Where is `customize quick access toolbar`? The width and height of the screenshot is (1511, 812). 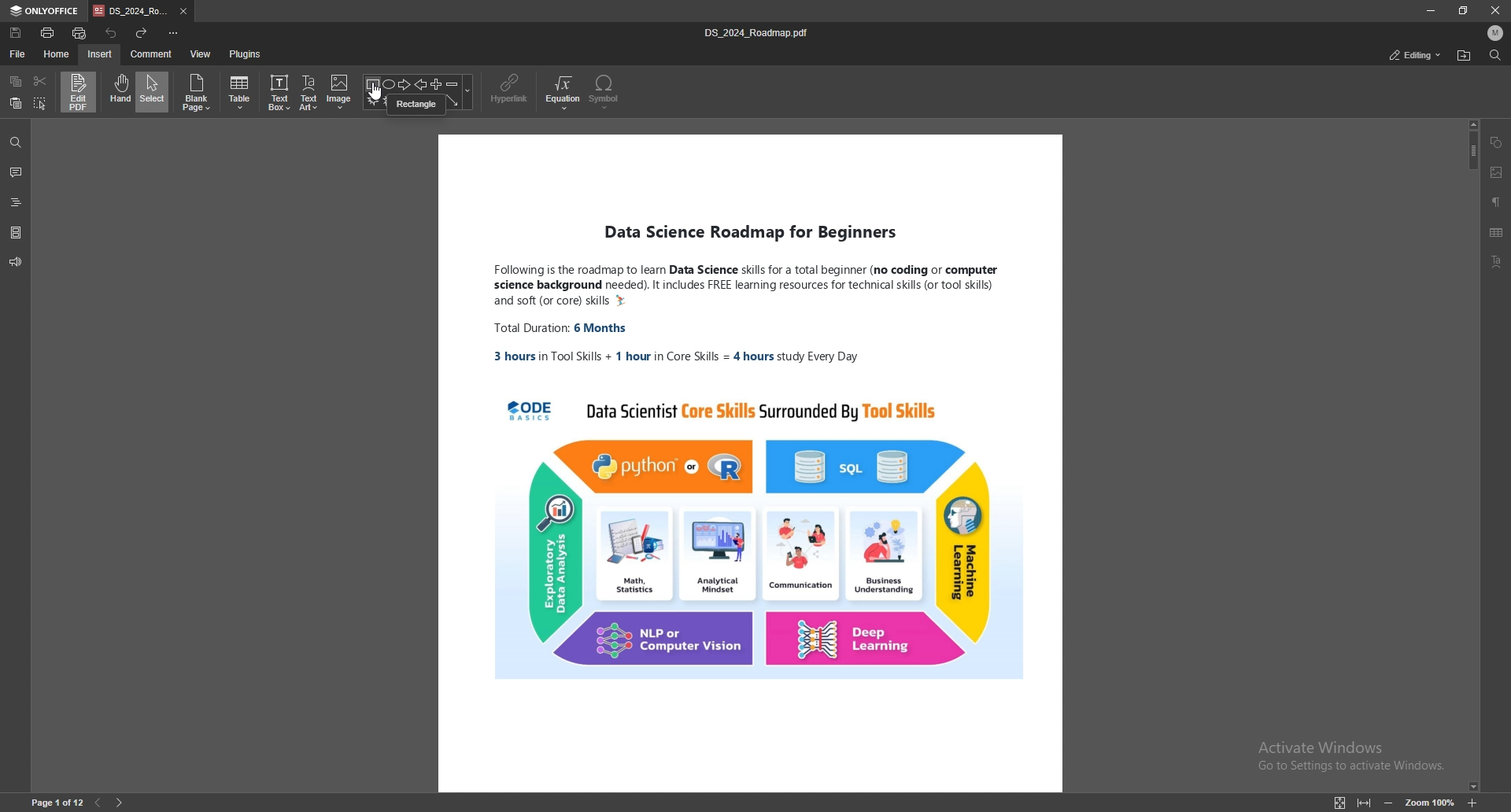
customize quick access toolbar is located at coordinates (174, 33).